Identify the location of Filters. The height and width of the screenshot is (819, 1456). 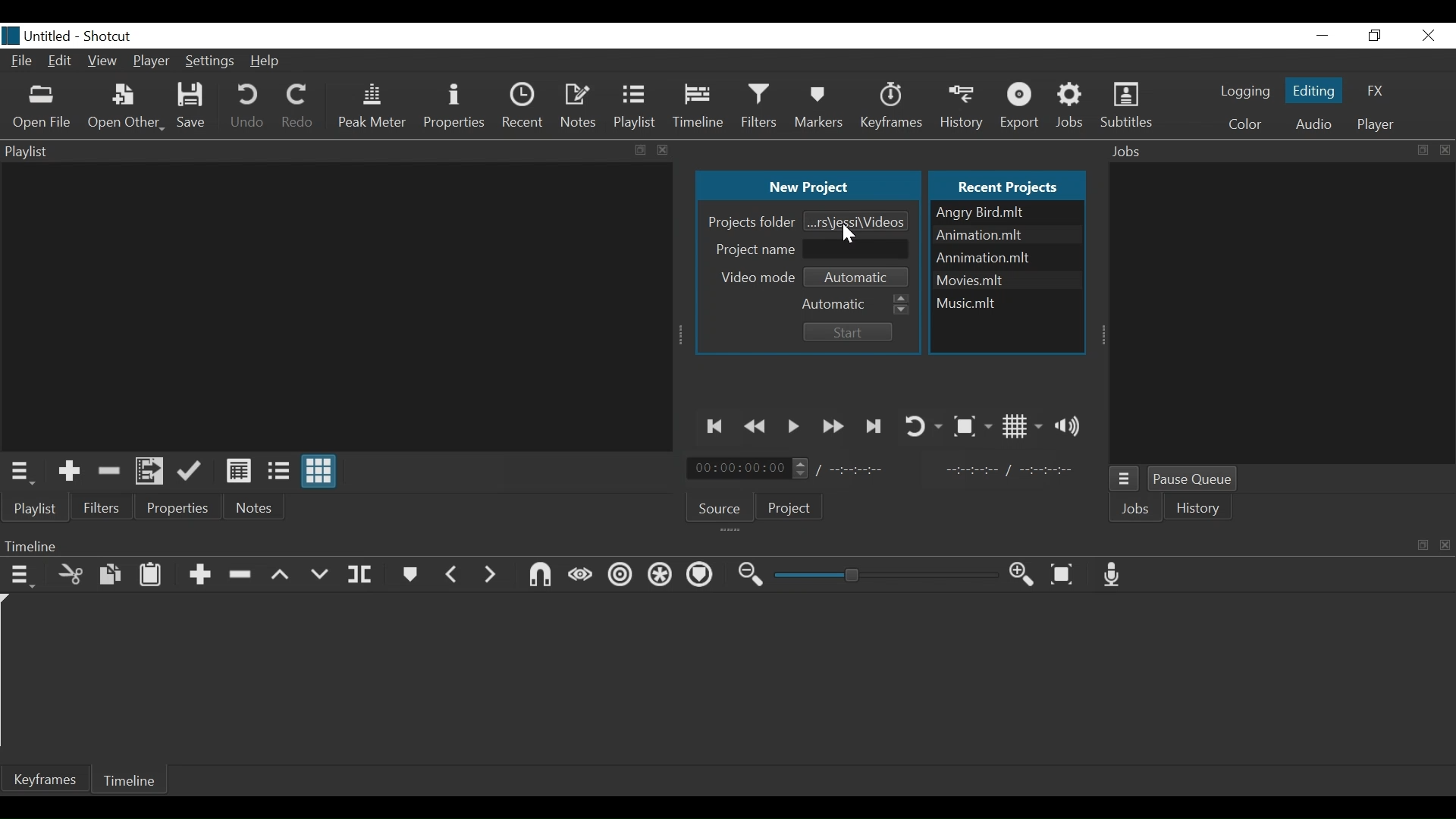
(102, 507).